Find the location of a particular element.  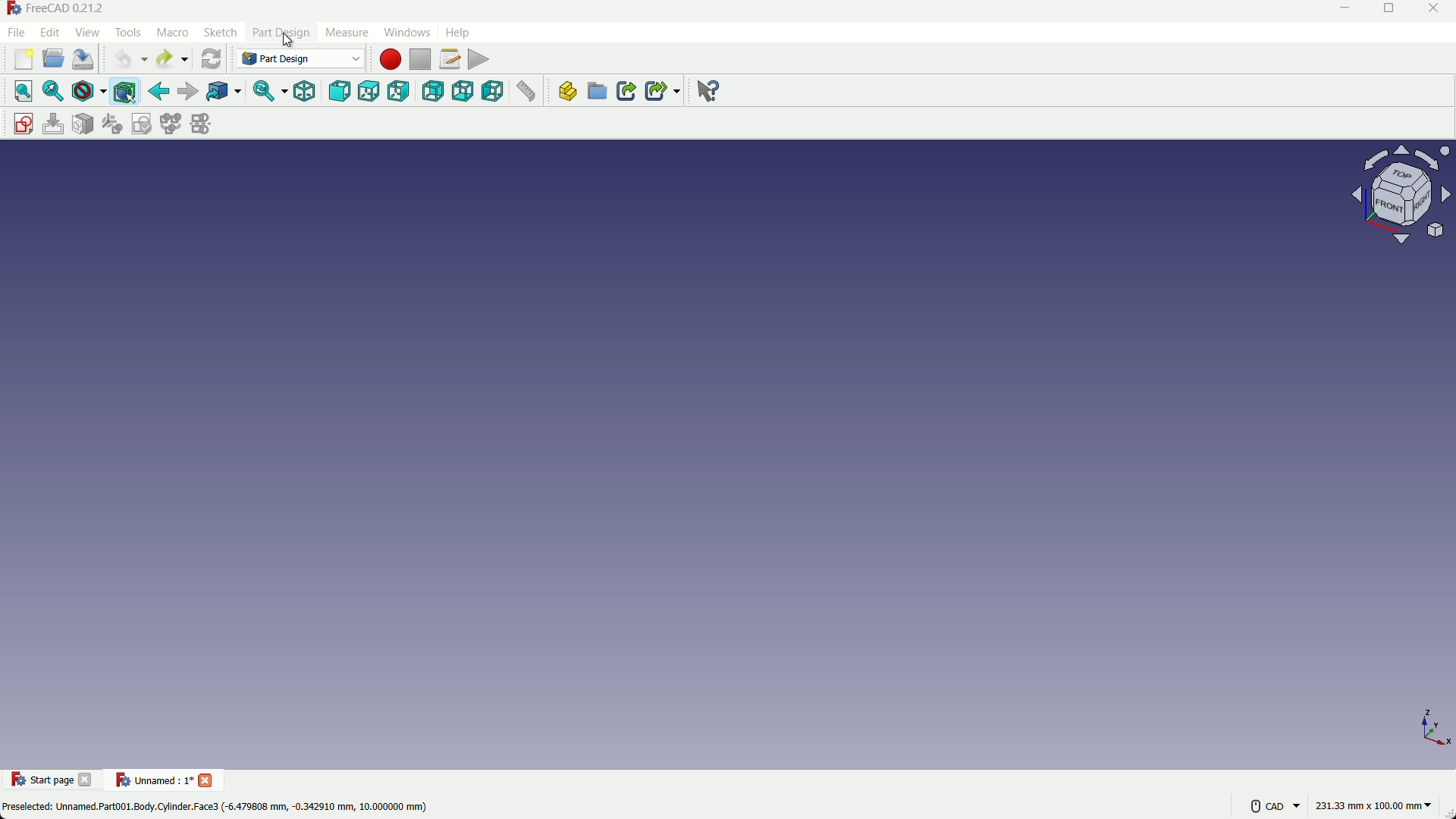

measuring unit is located at coordinates (1369, 803).